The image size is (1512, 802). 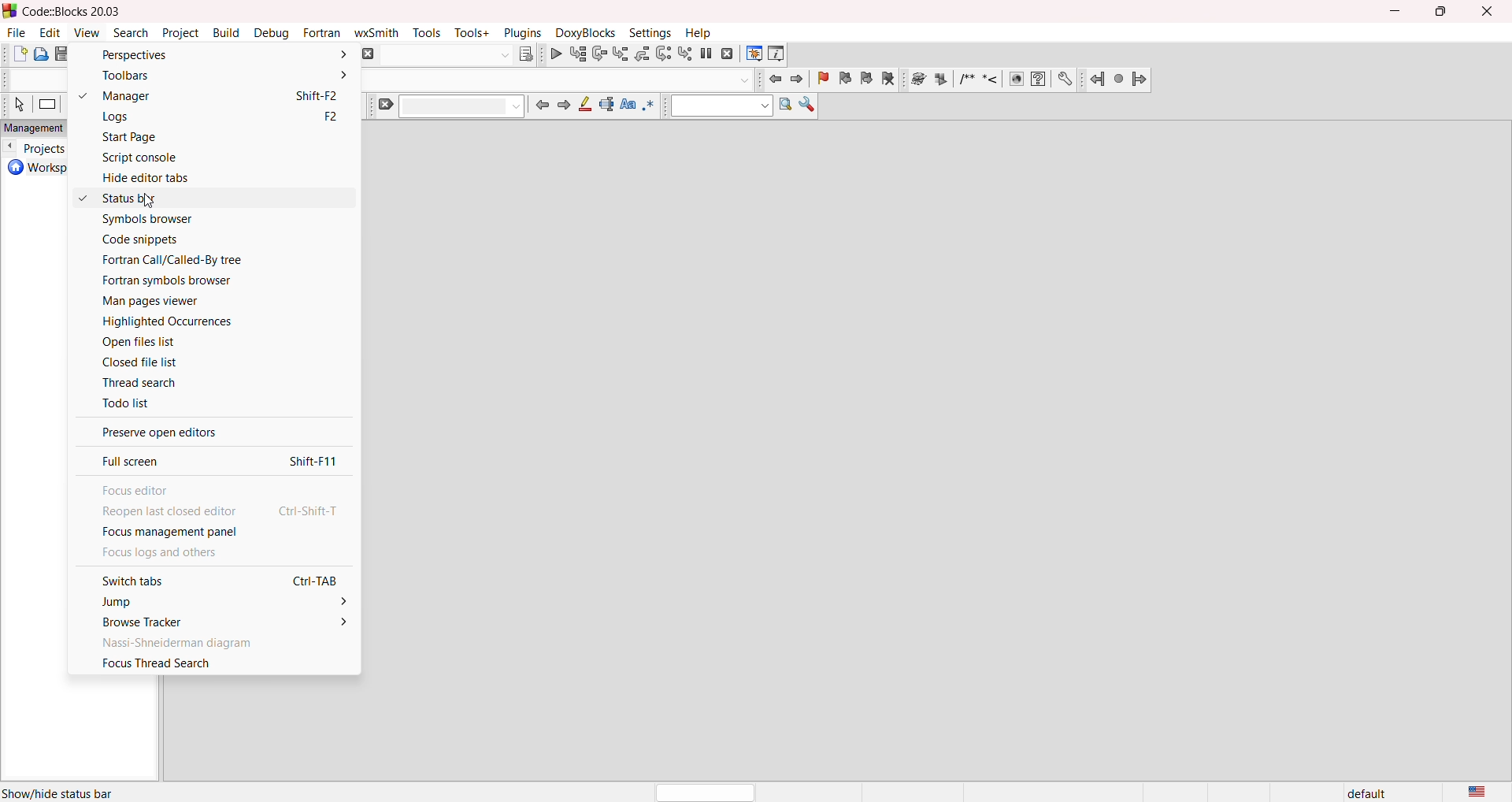 What do you see at coordinates (706, 58) in the screenshot?
I see `break debugger` at bounding box center [706, 58].